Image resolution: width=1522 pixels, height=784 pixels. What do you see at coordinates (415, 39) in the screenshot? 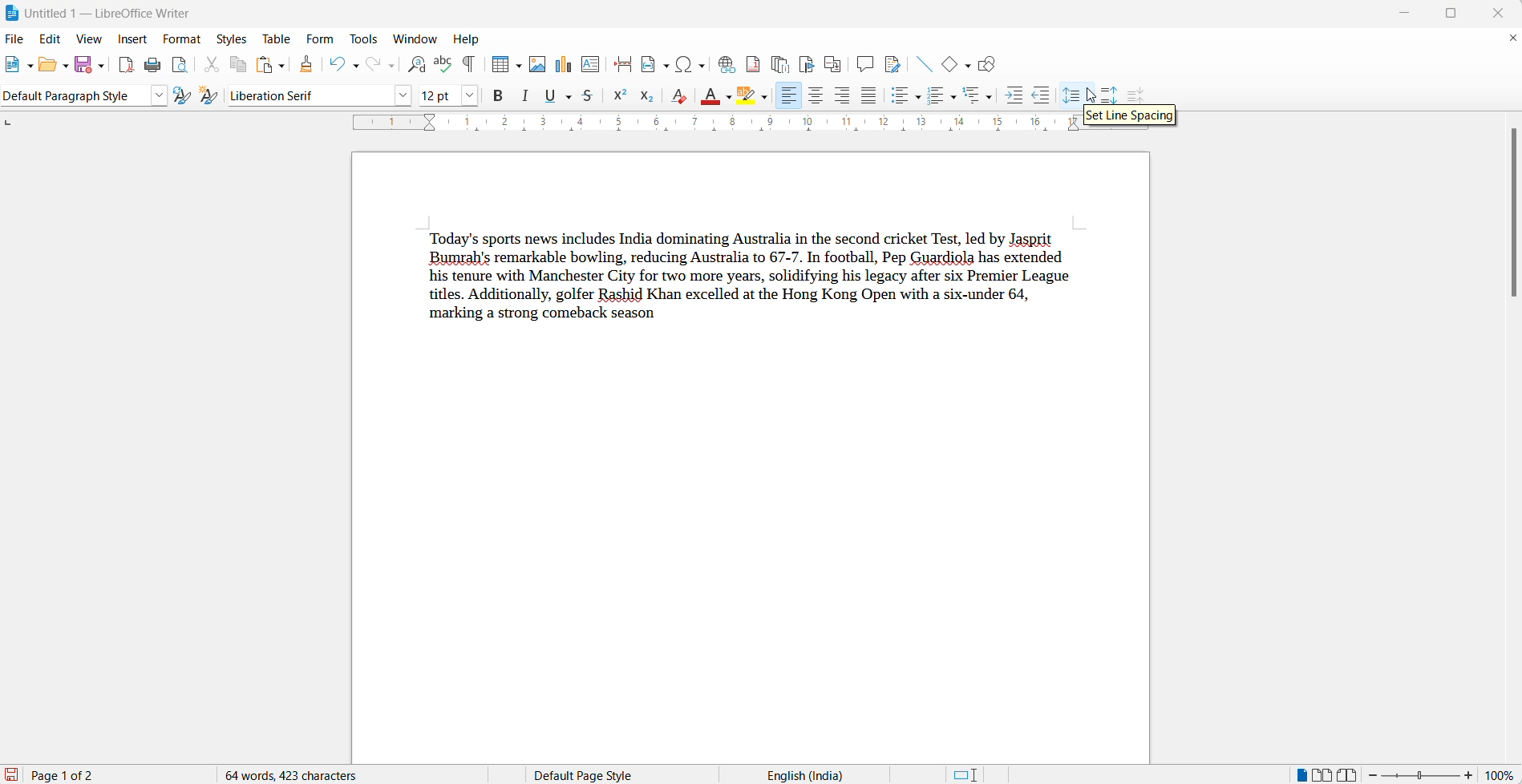
I see `window` at bounding box center [415, 39].